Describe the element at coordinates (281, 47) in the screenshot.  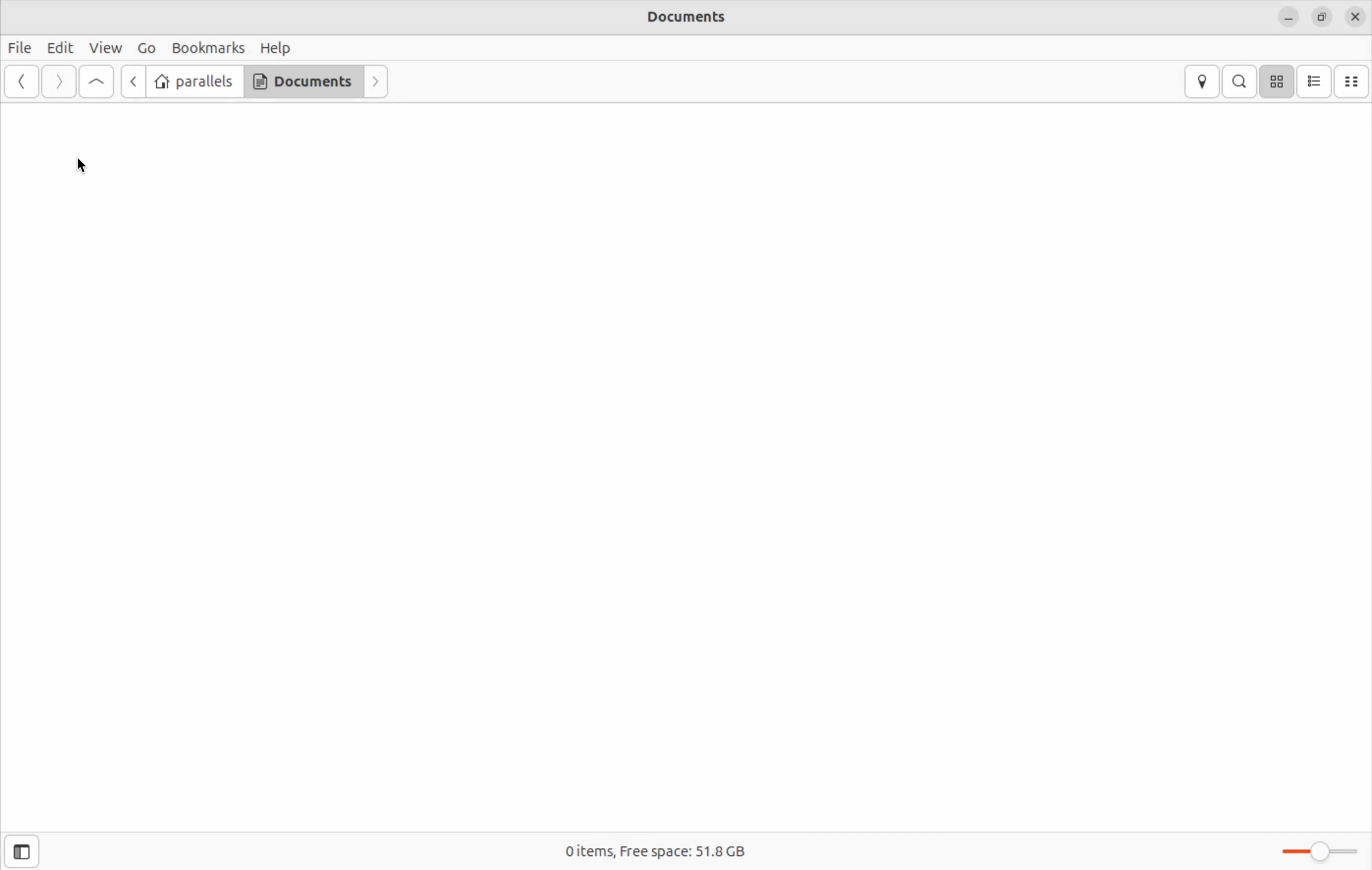
I see `Help` at that location.